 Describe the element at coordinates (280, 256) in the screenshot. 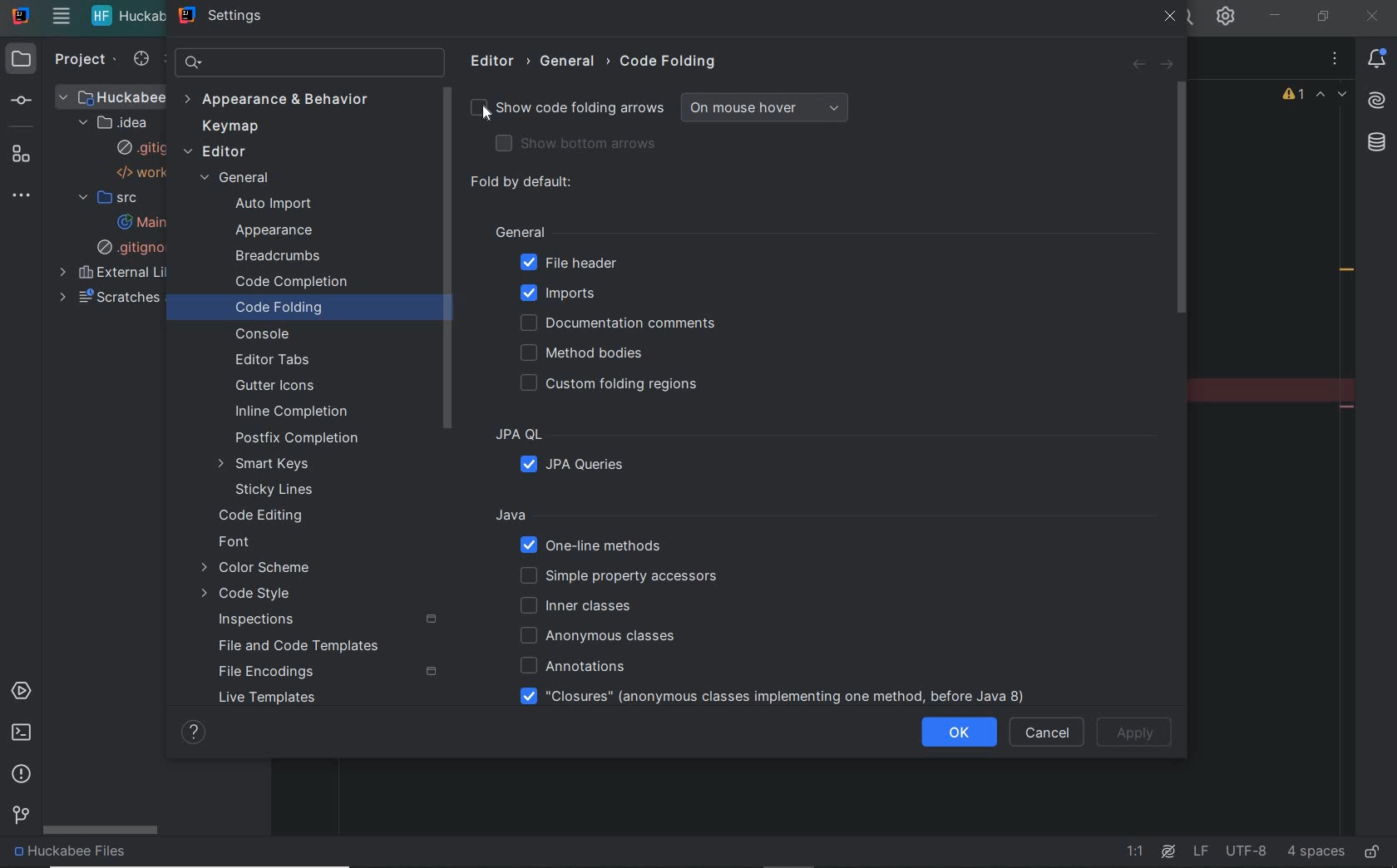

I see `breadcrumbs` at that location.